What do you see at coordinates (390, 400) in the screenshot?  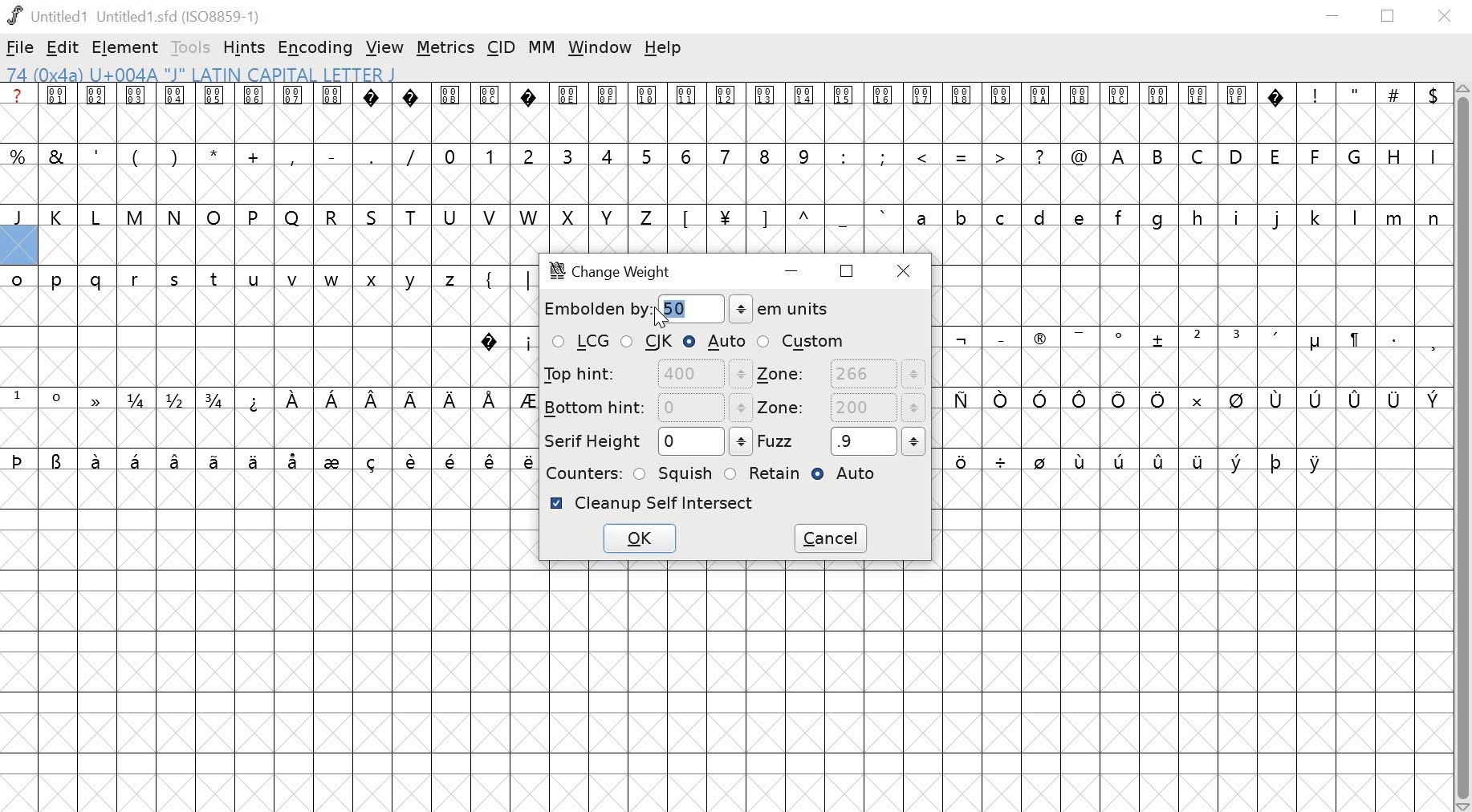 I see `symbols` at bounding box center [390, 400].